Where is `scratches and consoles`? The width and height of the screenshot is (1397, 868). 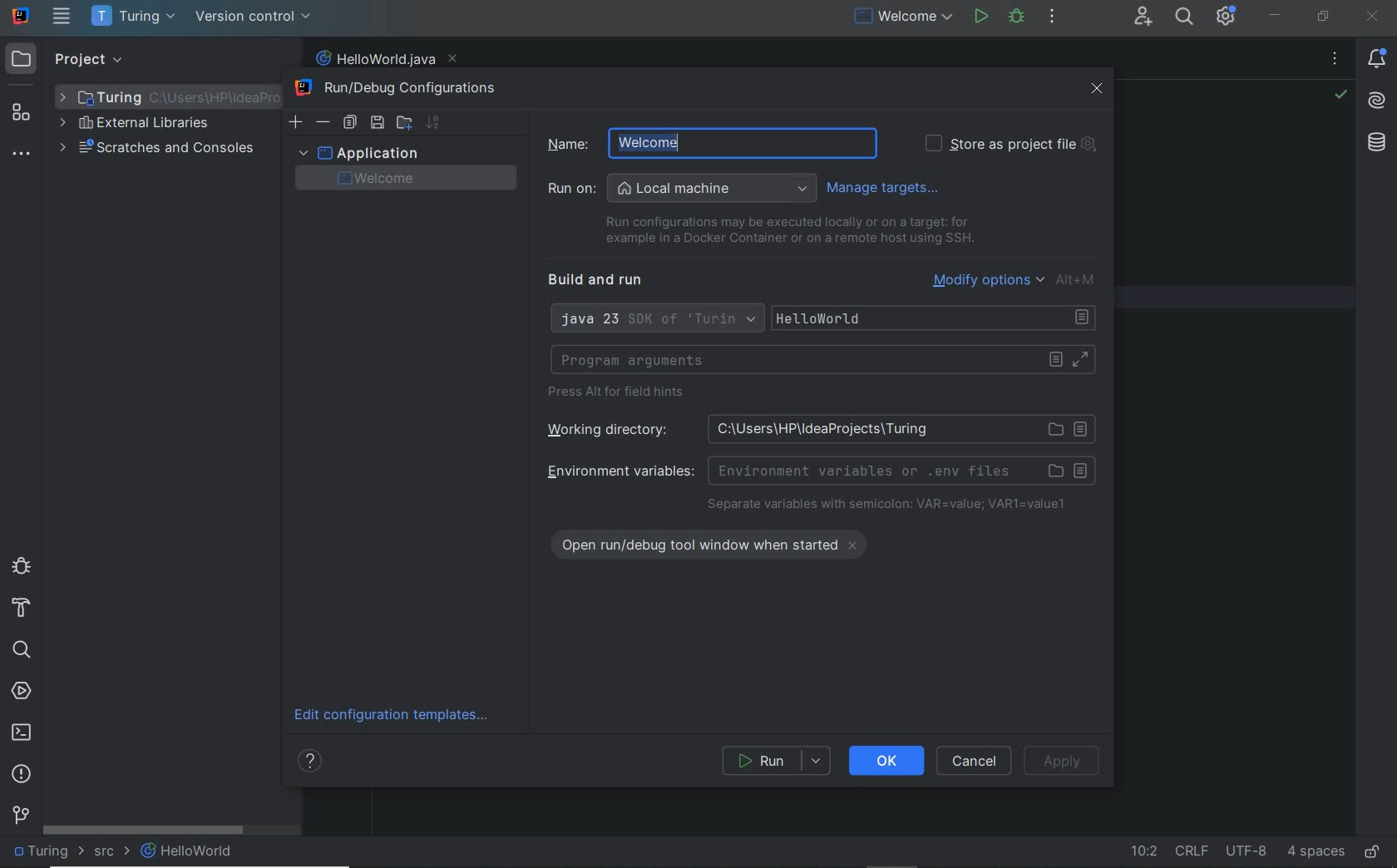 scratches and consoles is located at coordinates (157, 150).